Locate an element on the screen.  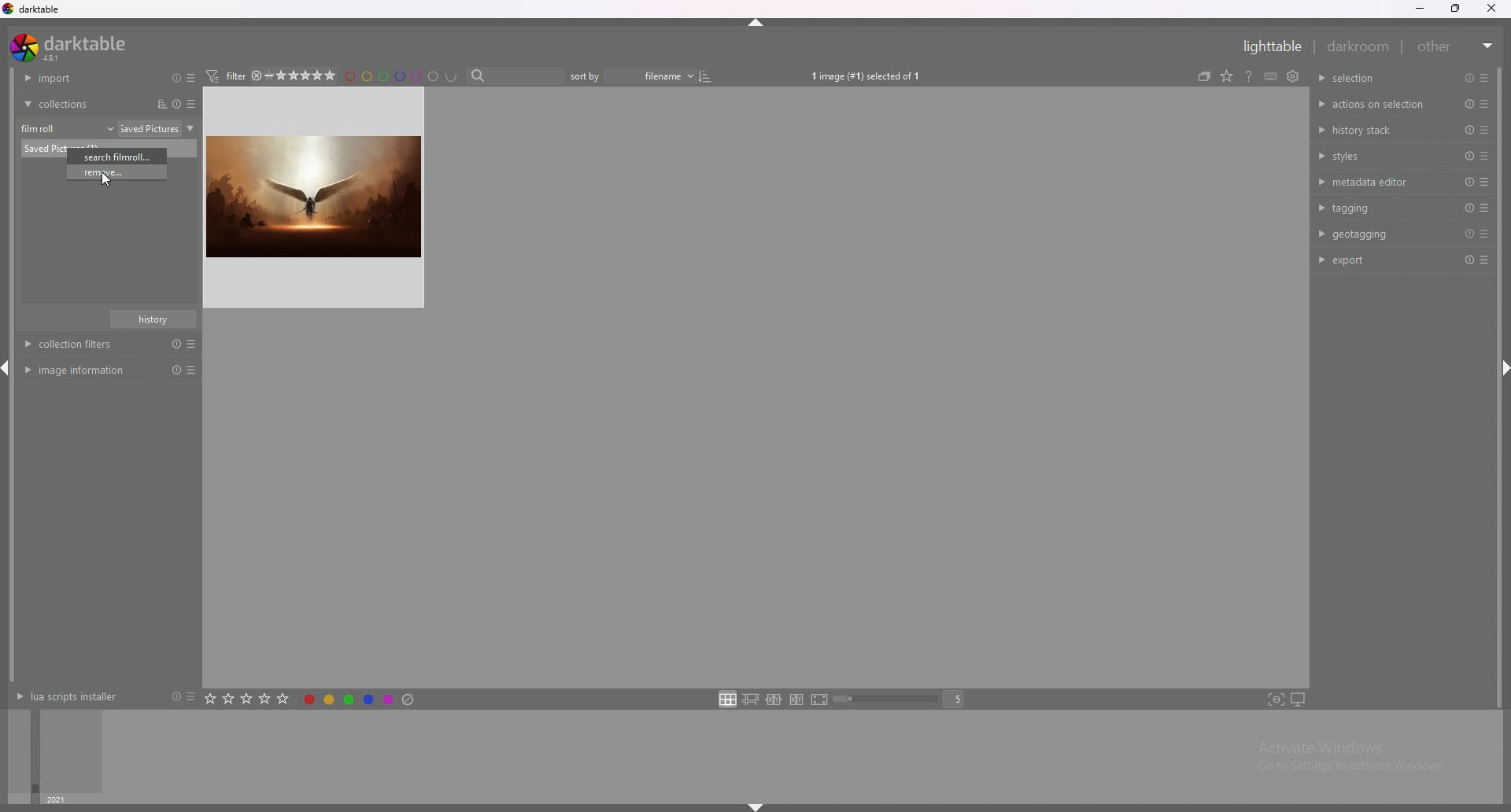
presets is located at coordinates (1484, 182).